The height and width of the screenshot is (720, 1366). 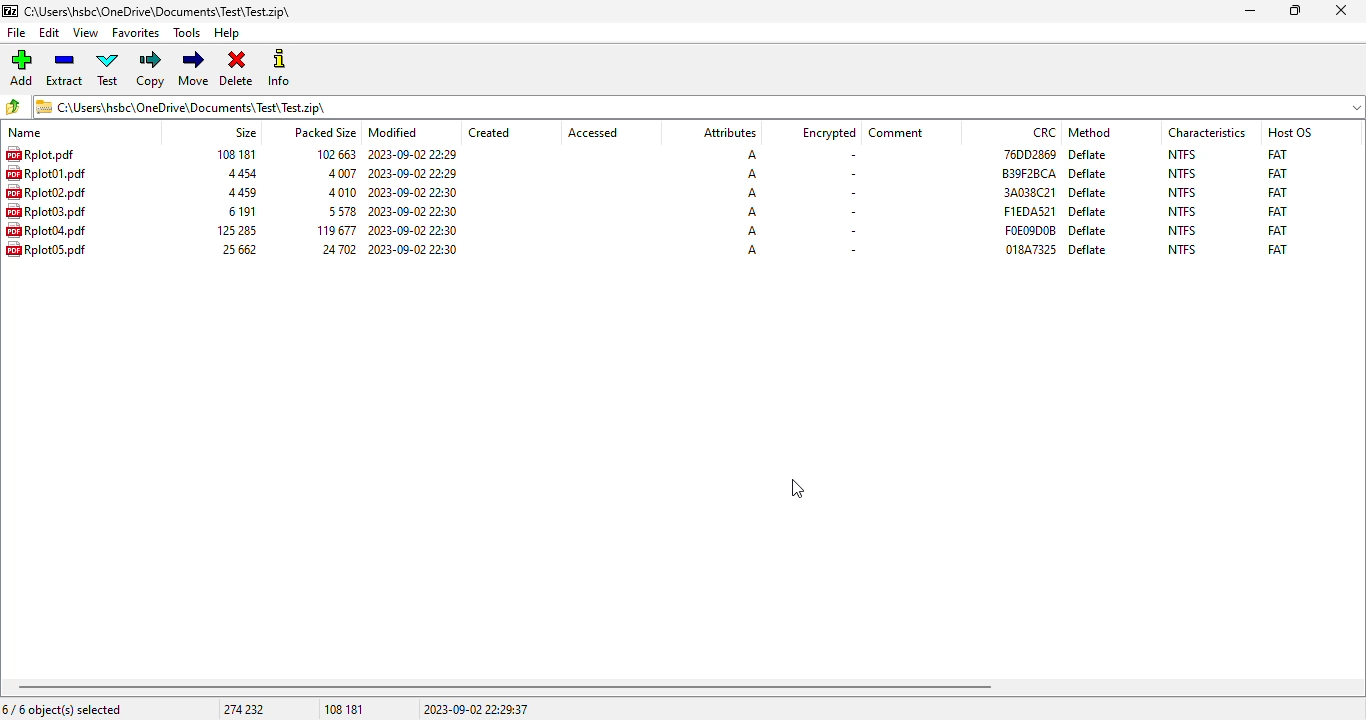 What do you see at coordinates (829, 133) in the screenshot?
I see `encrypted` at bounding box center [829, 133].